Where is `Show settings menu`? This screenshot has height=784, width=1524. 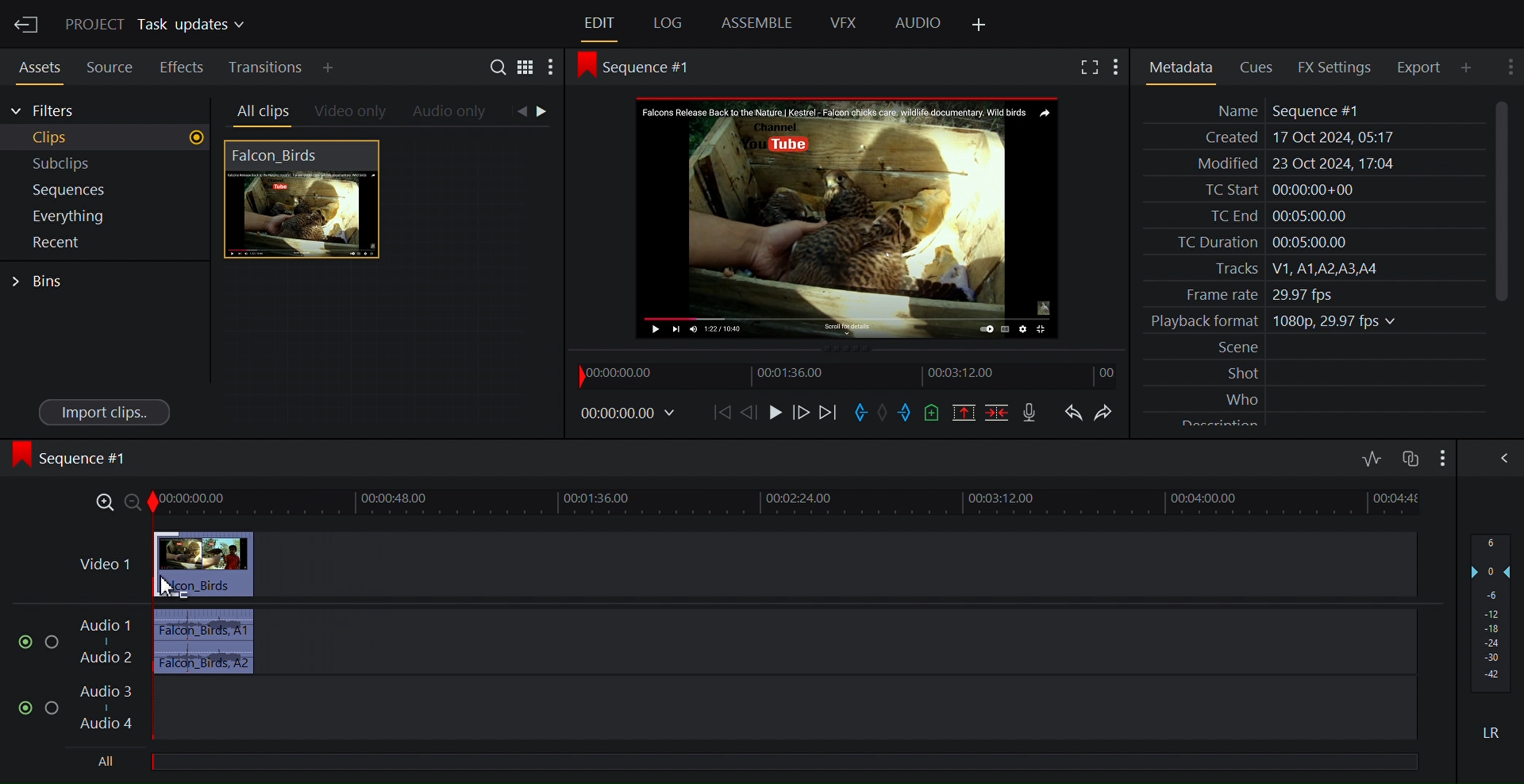 Show settings menu is located at coordinates (1508, 66).